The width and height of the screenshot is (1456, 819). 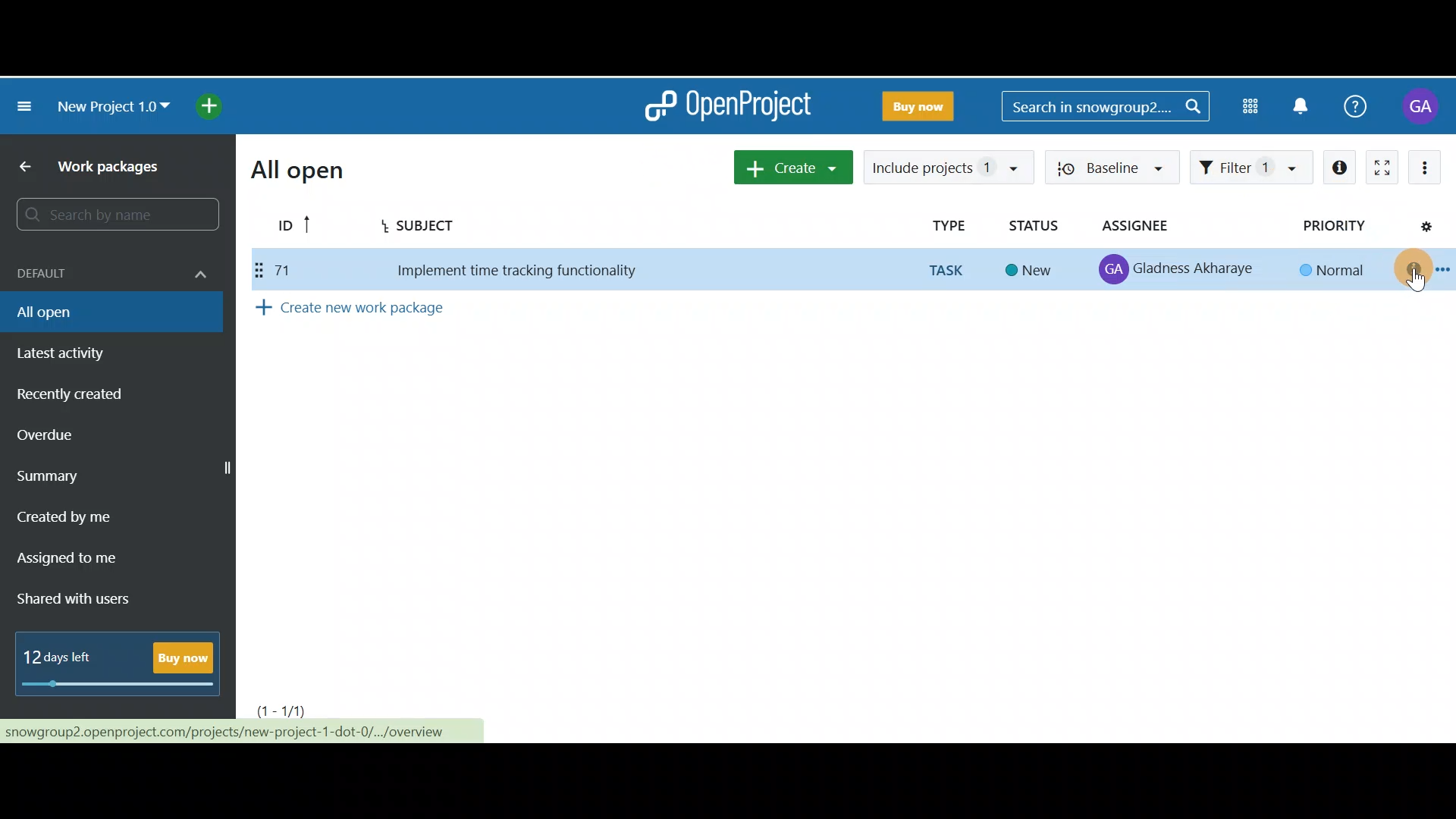 I want to click on Baseline, so click(x=1119, y=168).